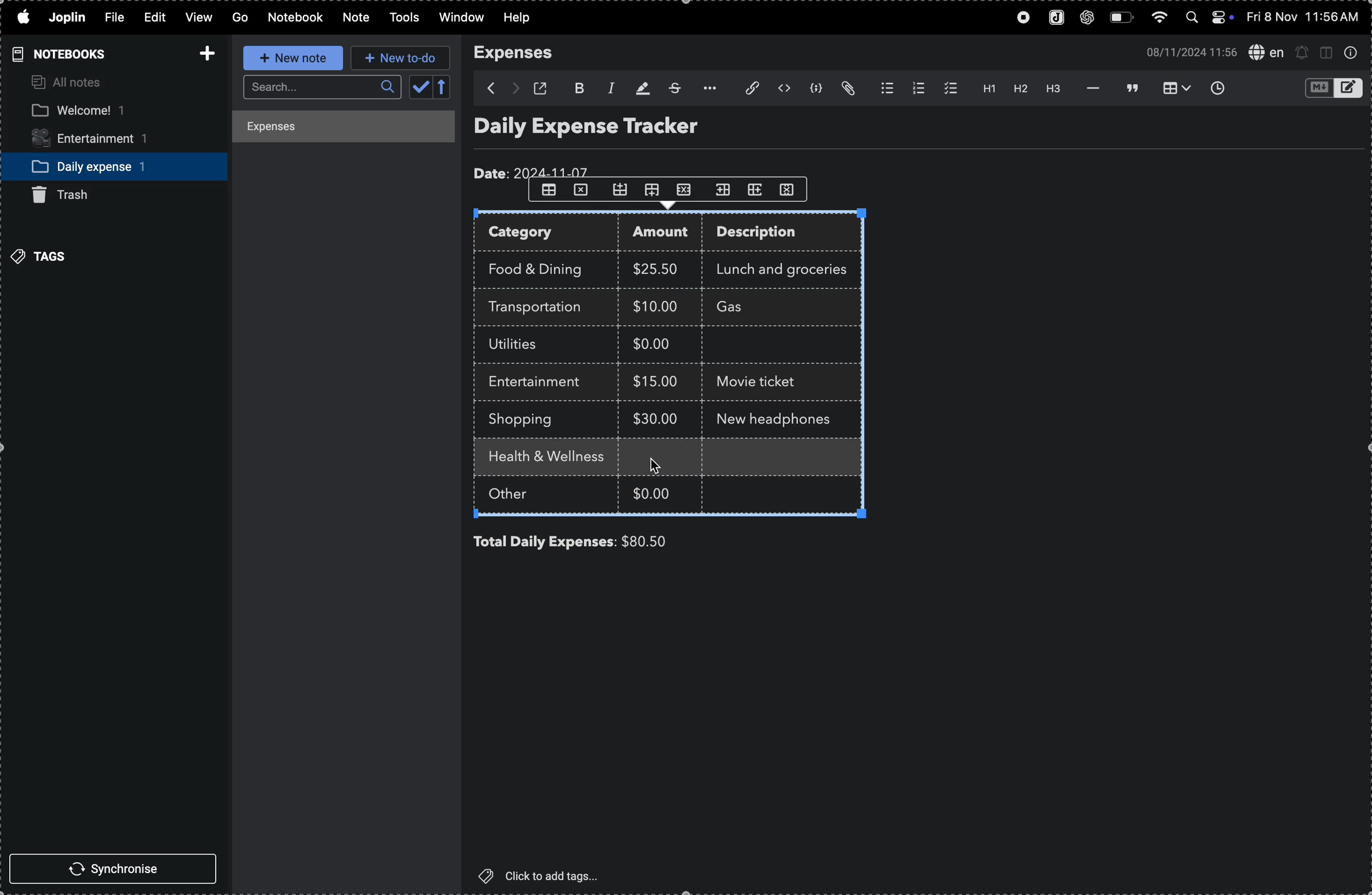  What do you see at coordinates (655, 190) in the screenshot?
I see `add row down` at bounding box center [655, 190].